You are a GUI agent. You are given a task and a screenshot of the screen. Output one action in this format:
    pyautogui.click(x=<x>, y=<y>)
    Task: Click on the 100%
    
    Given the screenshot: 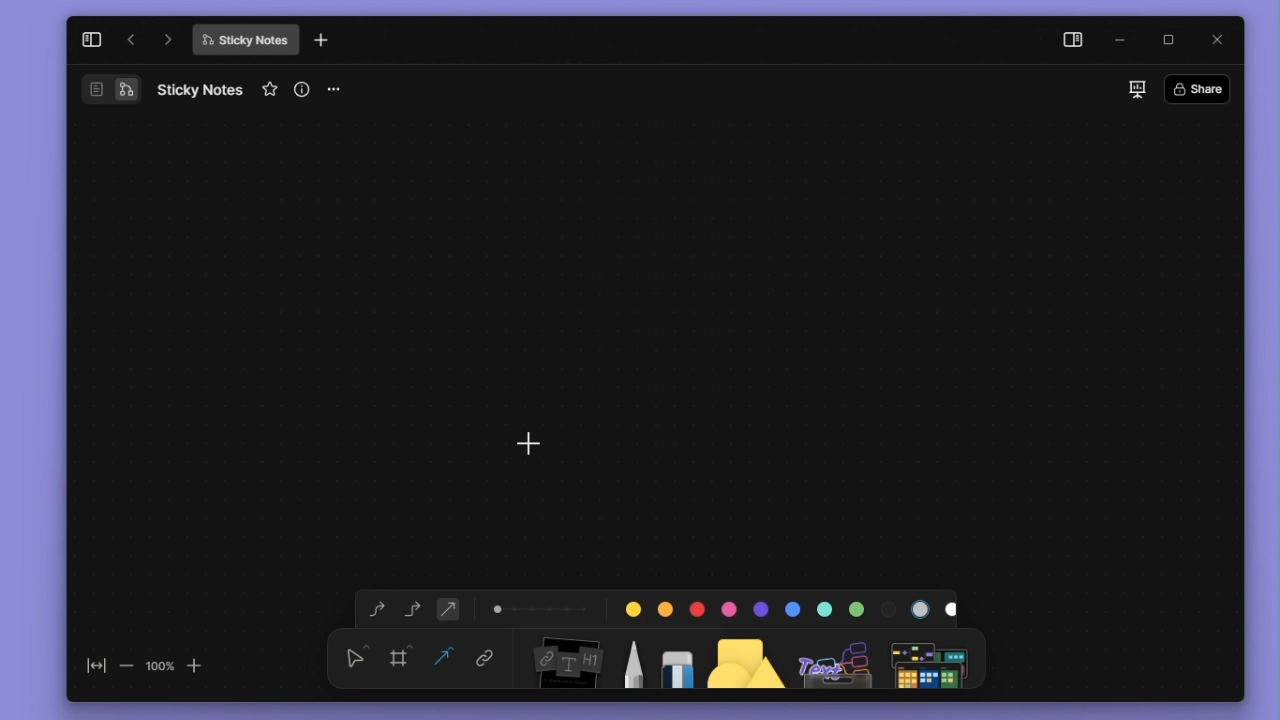 What is the action you would take?
    pyautogui.click(x=159, y=665)
    